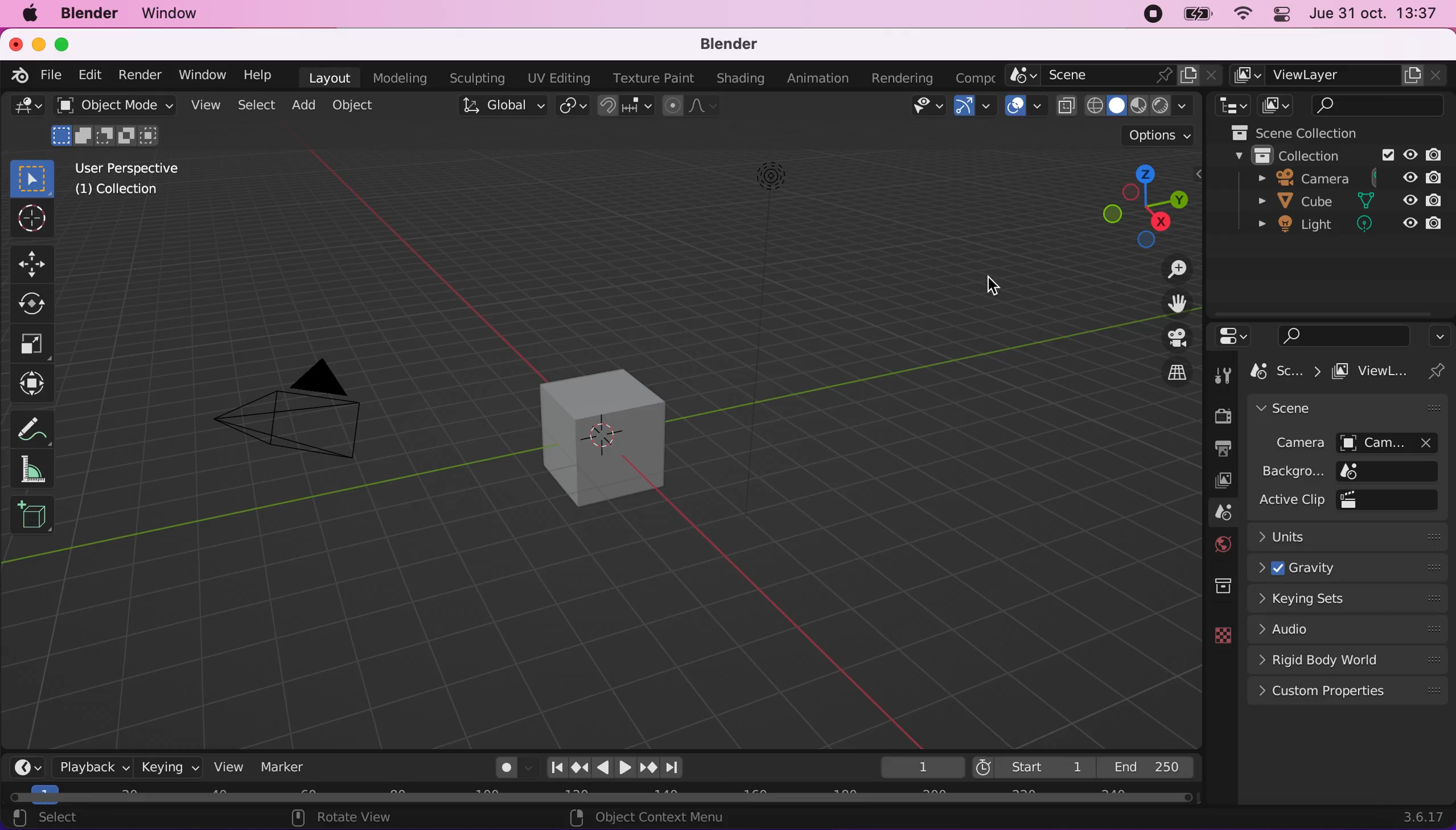 Image resolution: width=1456 pixels, height=830 pixels. I want to click on horizontal slider, so click(602, 798).